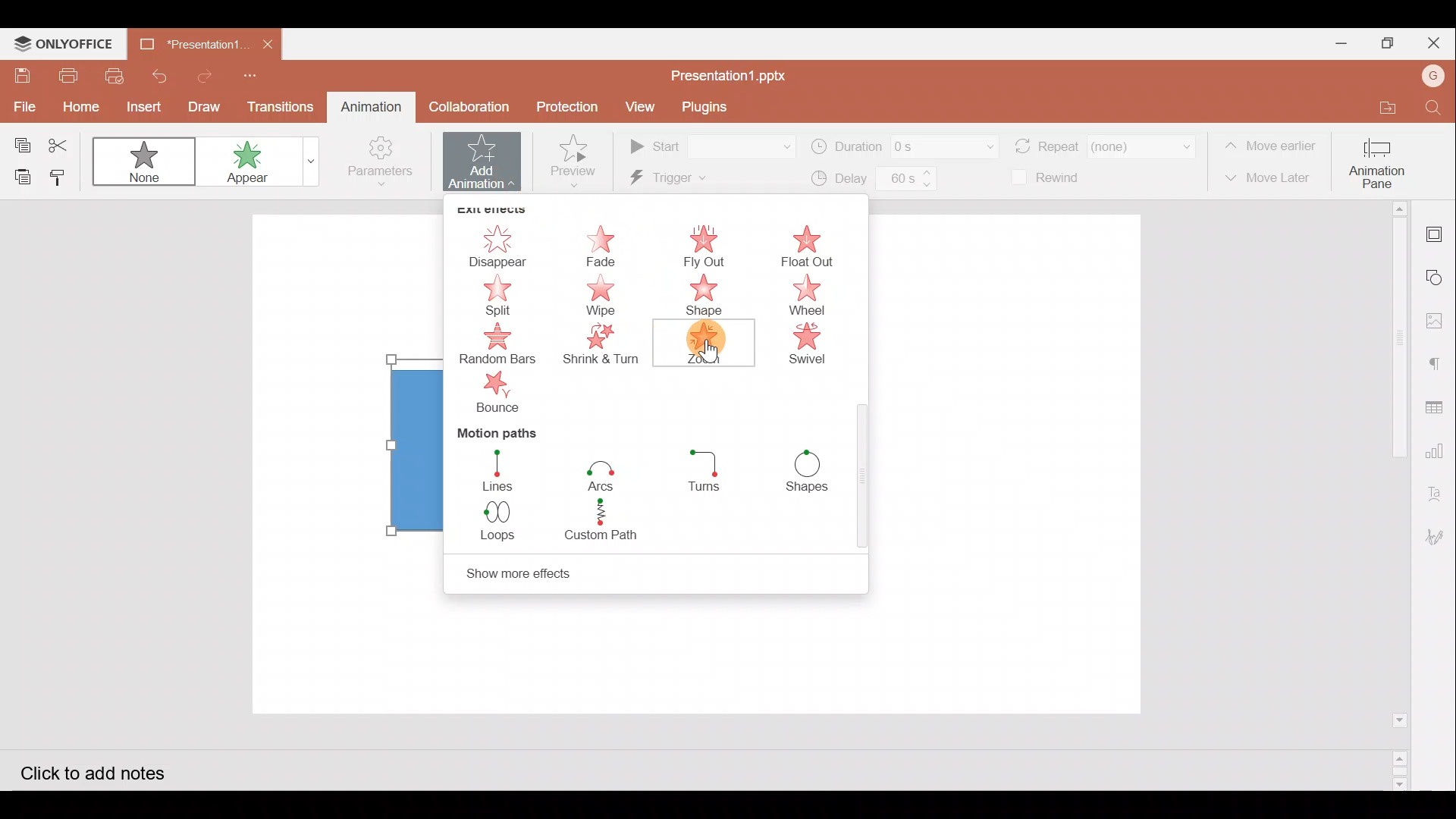 The image size is (1456, 819). Describe the element at coordinates (467, 105) in the screenshot. I see `Collaboration` at that location.